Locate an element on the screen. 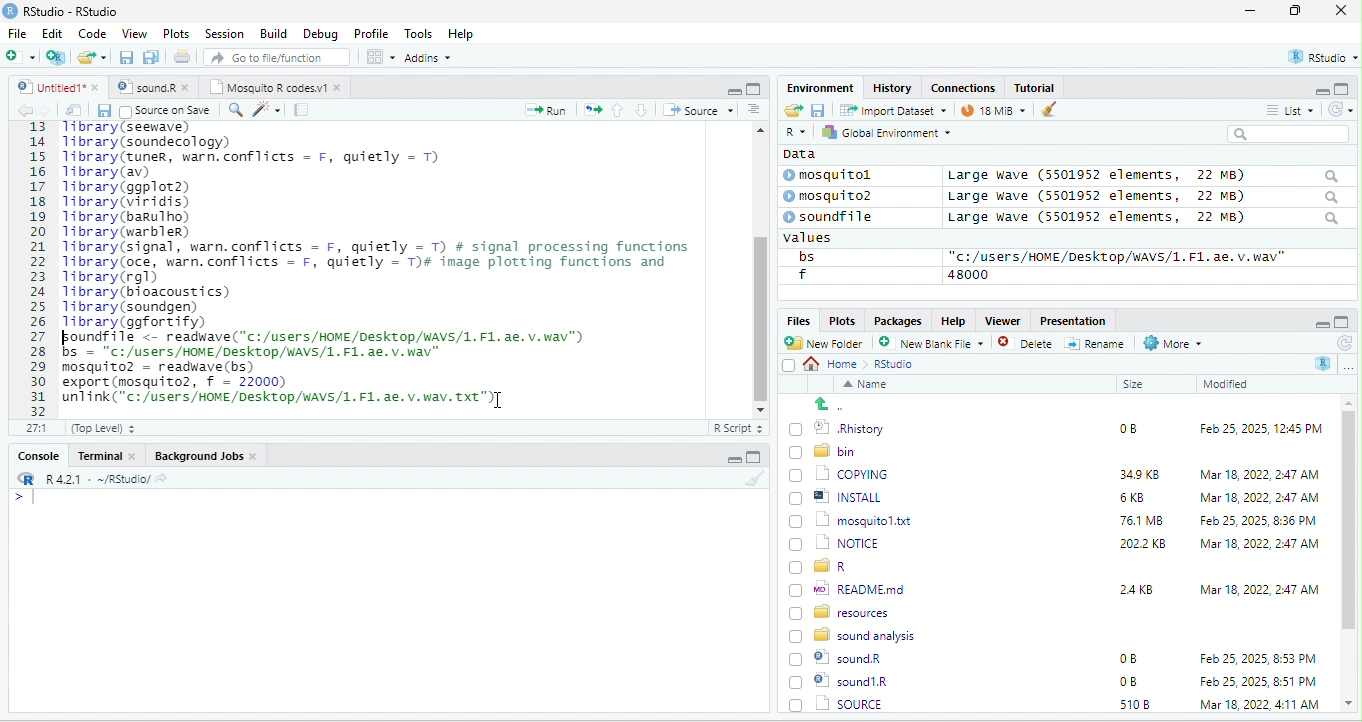 This screenshot has width=1362, height=722. up is located at coordinates (619, 109).